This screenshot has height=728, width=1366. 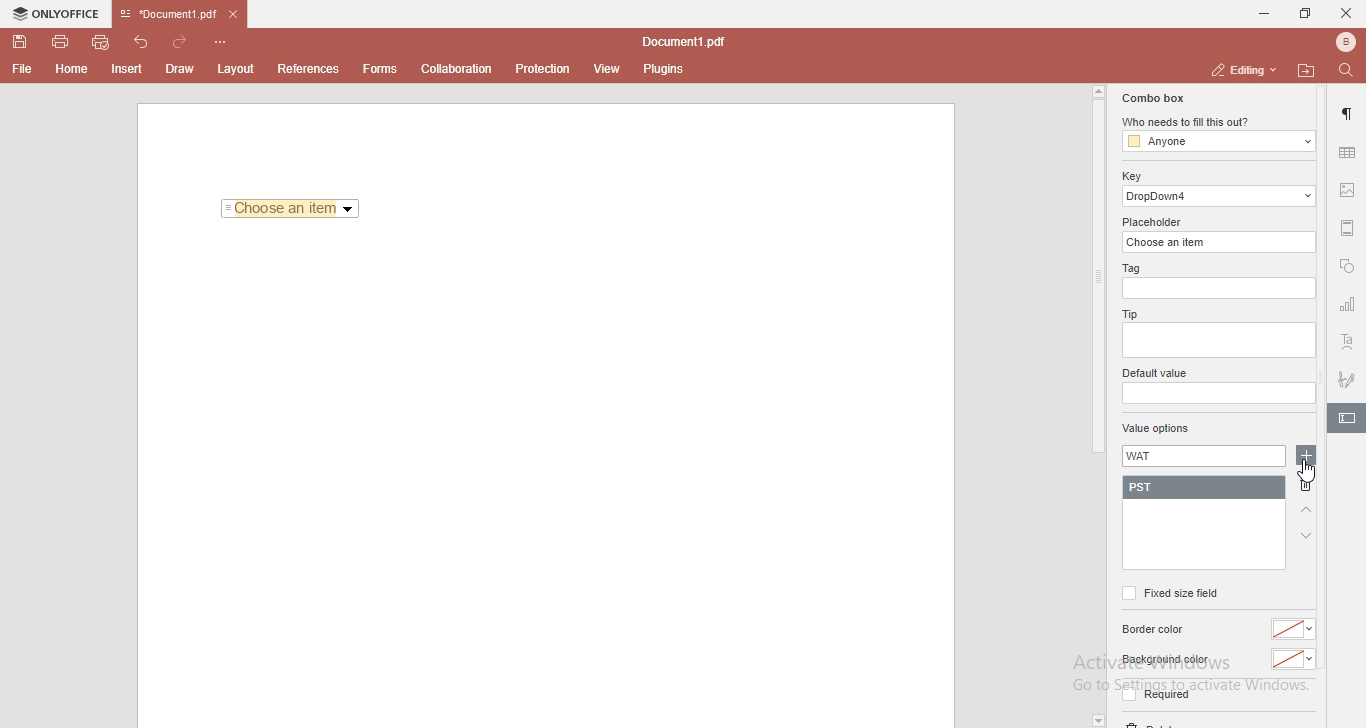 What do you see at coordinates (664, 70) in the screenshot?
I see `plugins` at bounding box center [664, 70].